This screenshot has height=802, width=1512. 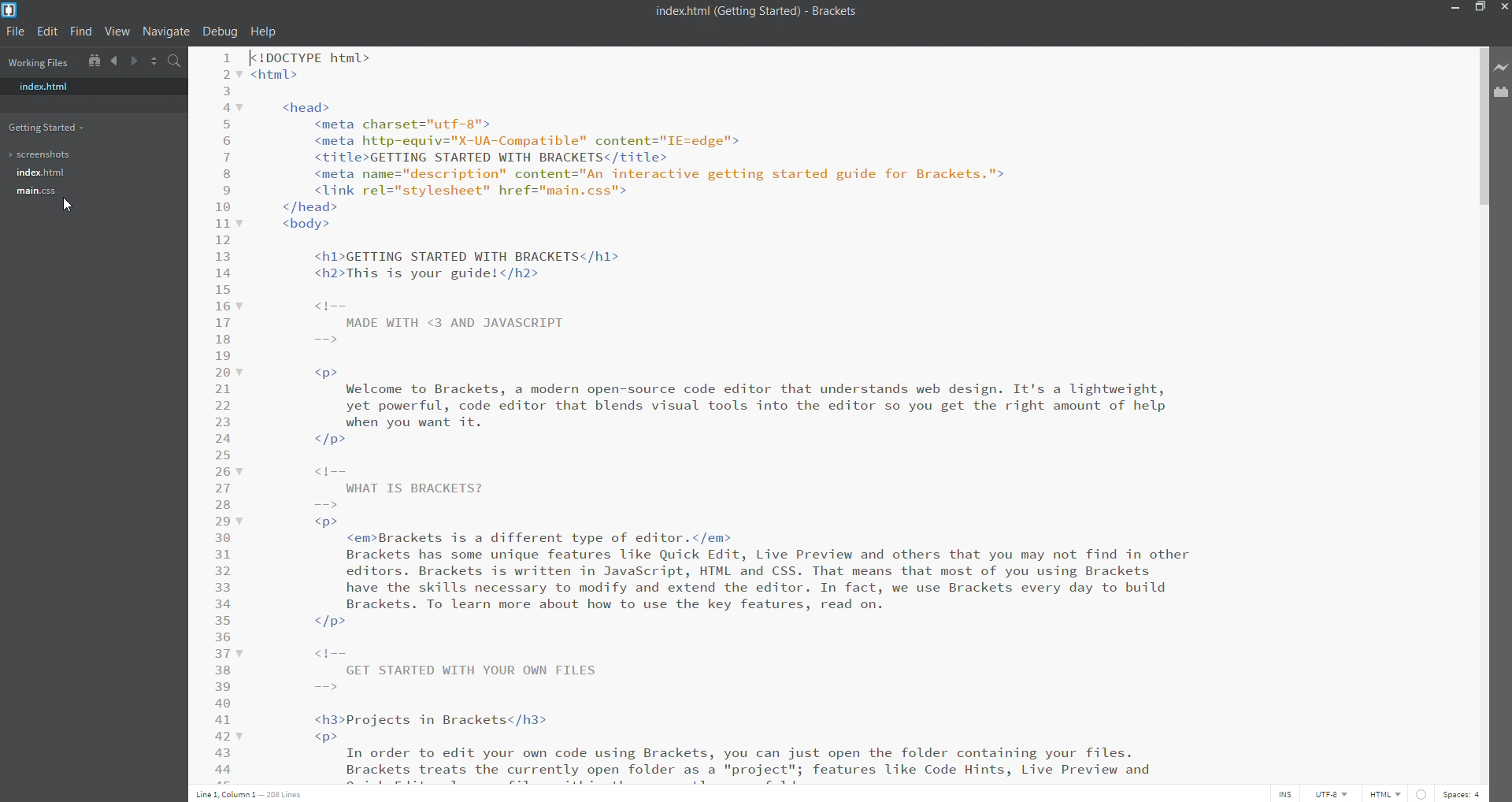 I want to click on show in file tree, so click(x=92, y=61).